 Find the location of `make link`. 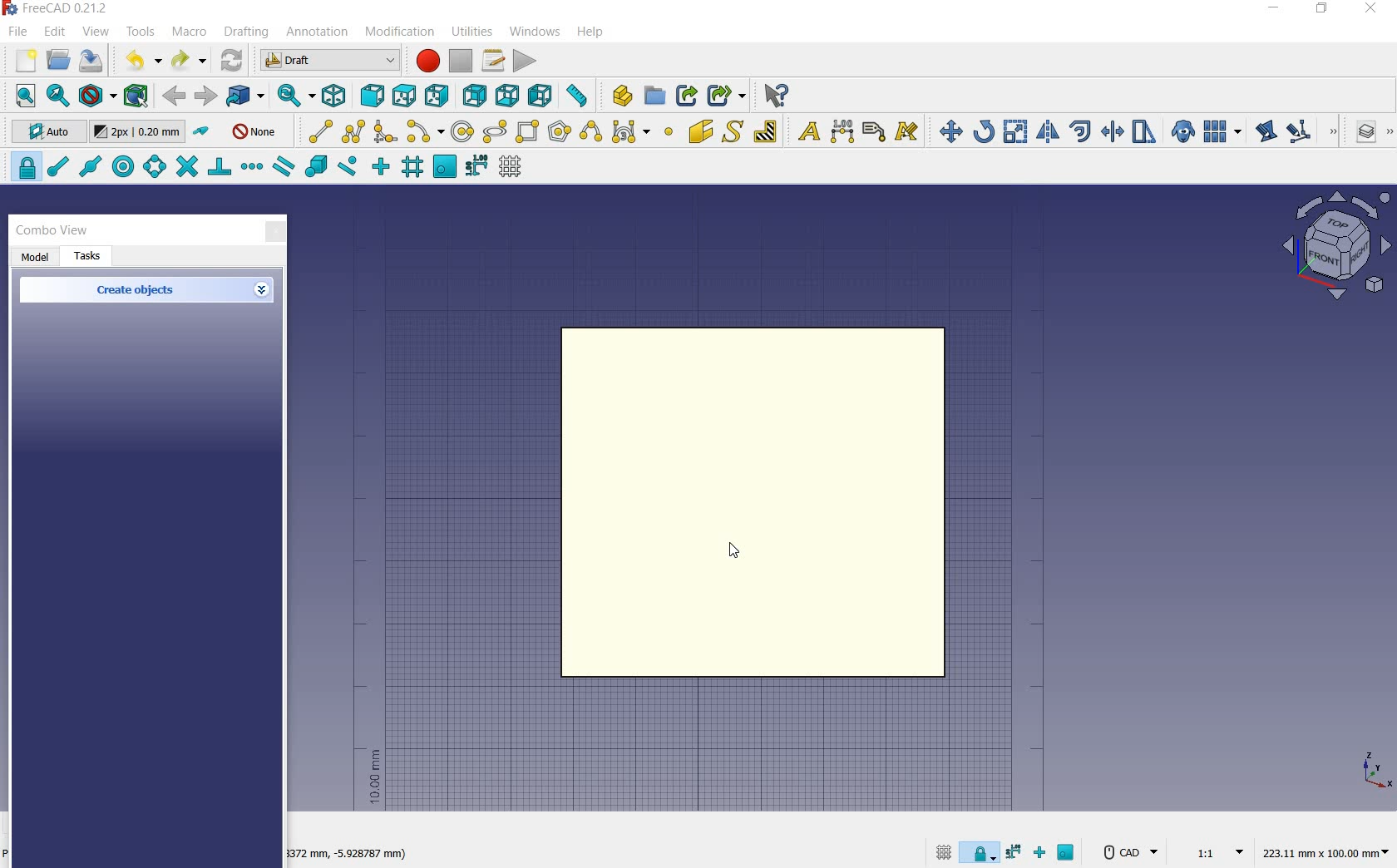

make link is located at coordinates (687, 94).